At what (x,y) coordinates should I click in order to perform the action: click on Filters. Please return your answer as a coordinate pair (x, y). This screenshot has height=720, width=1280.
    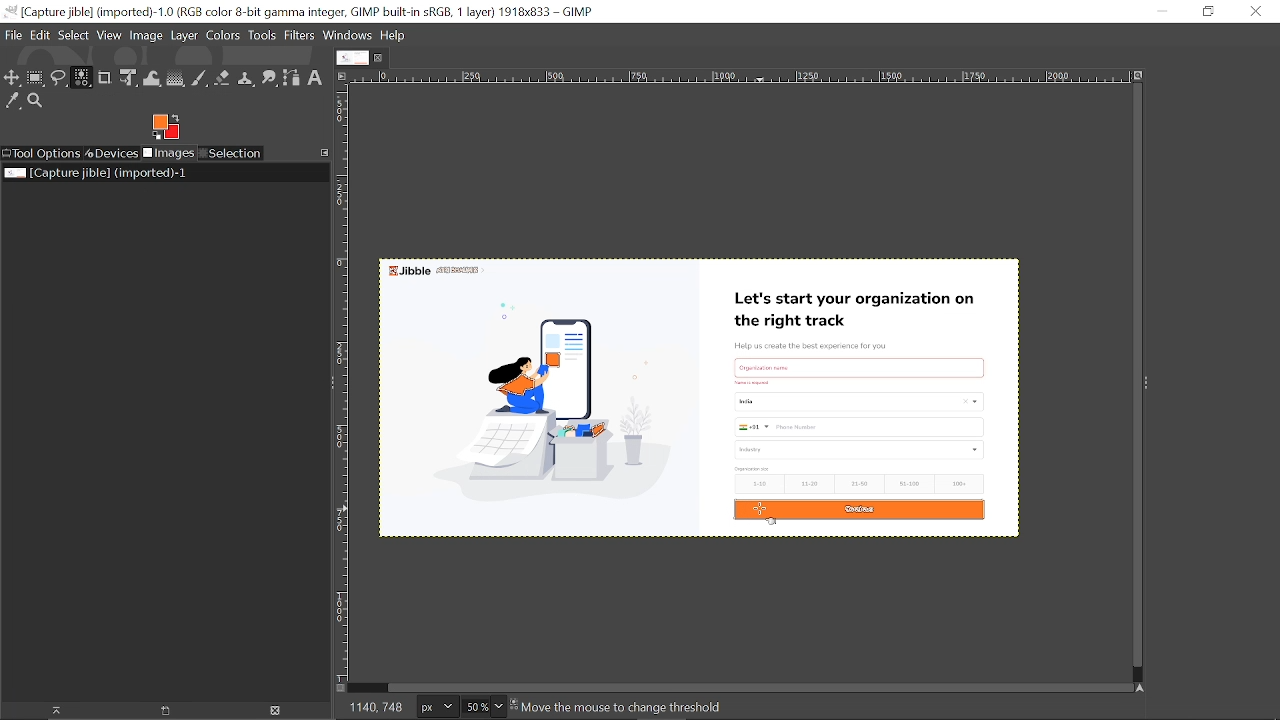
    Looking at the image, I should click on (300, 36).